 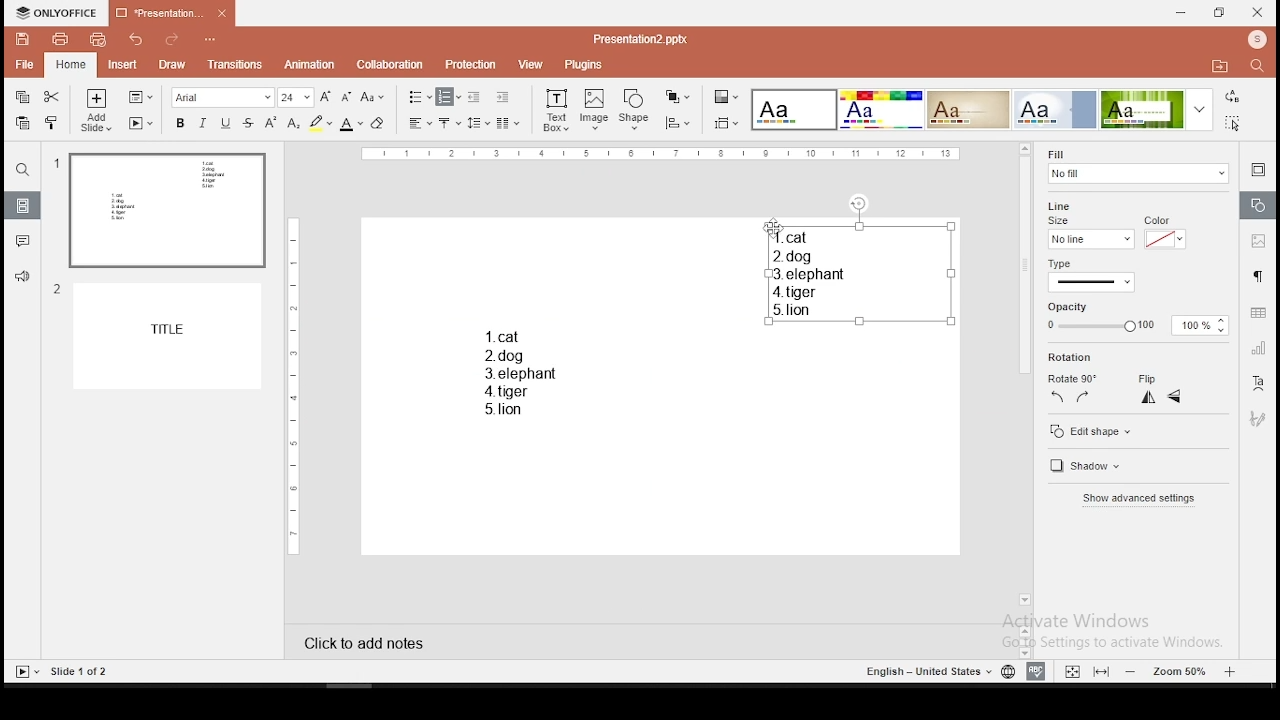 I want to click on shape settings, so click(x=1256, y=204).